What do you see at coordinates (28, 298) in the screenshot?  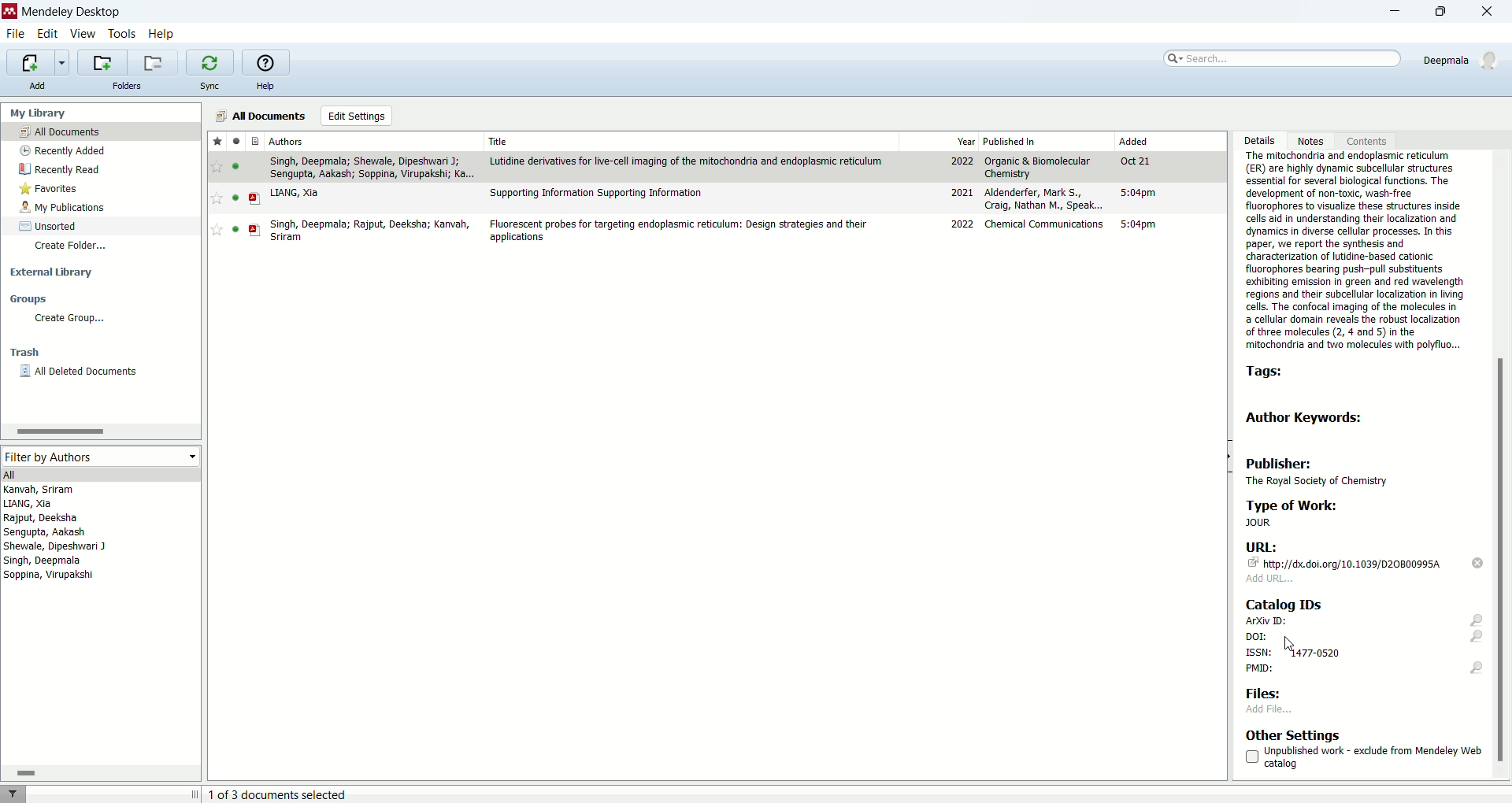 I see `groups` at bounding box center [28, 298].